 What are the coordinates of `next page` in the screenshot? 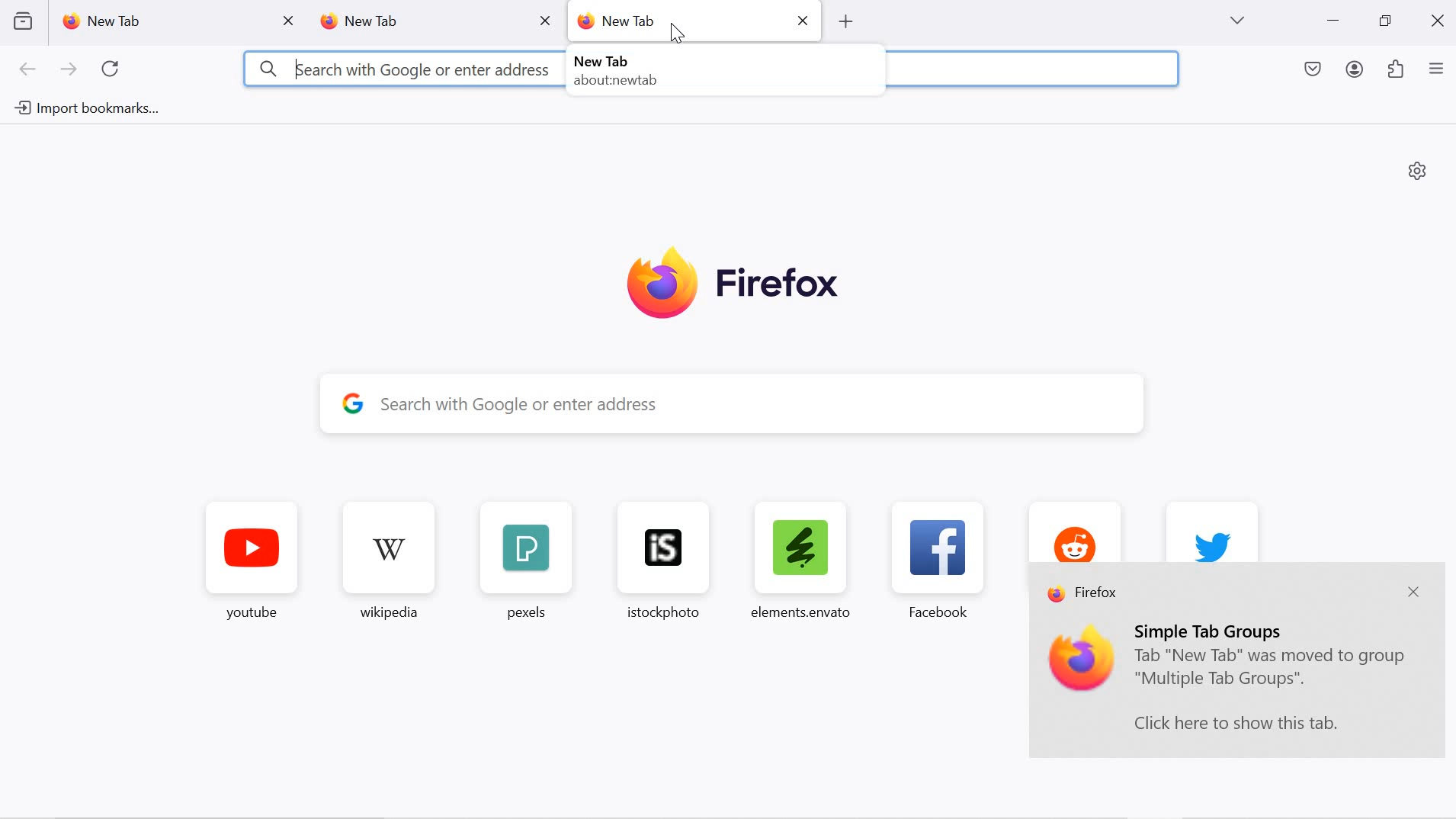 It's located at (69, 70).